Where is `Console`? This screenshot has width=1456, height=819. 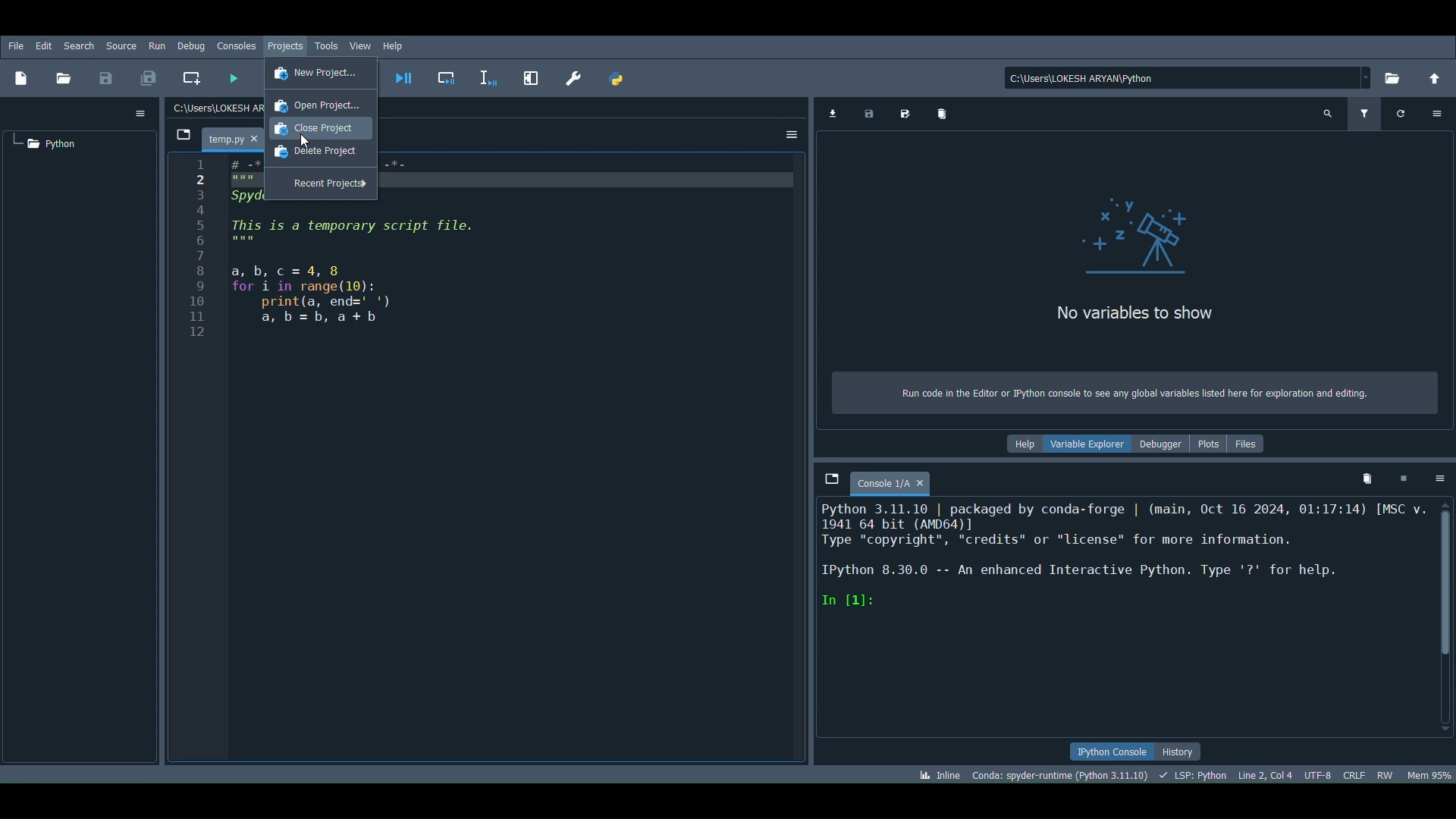
Console is located at coordinates (1121, 618).